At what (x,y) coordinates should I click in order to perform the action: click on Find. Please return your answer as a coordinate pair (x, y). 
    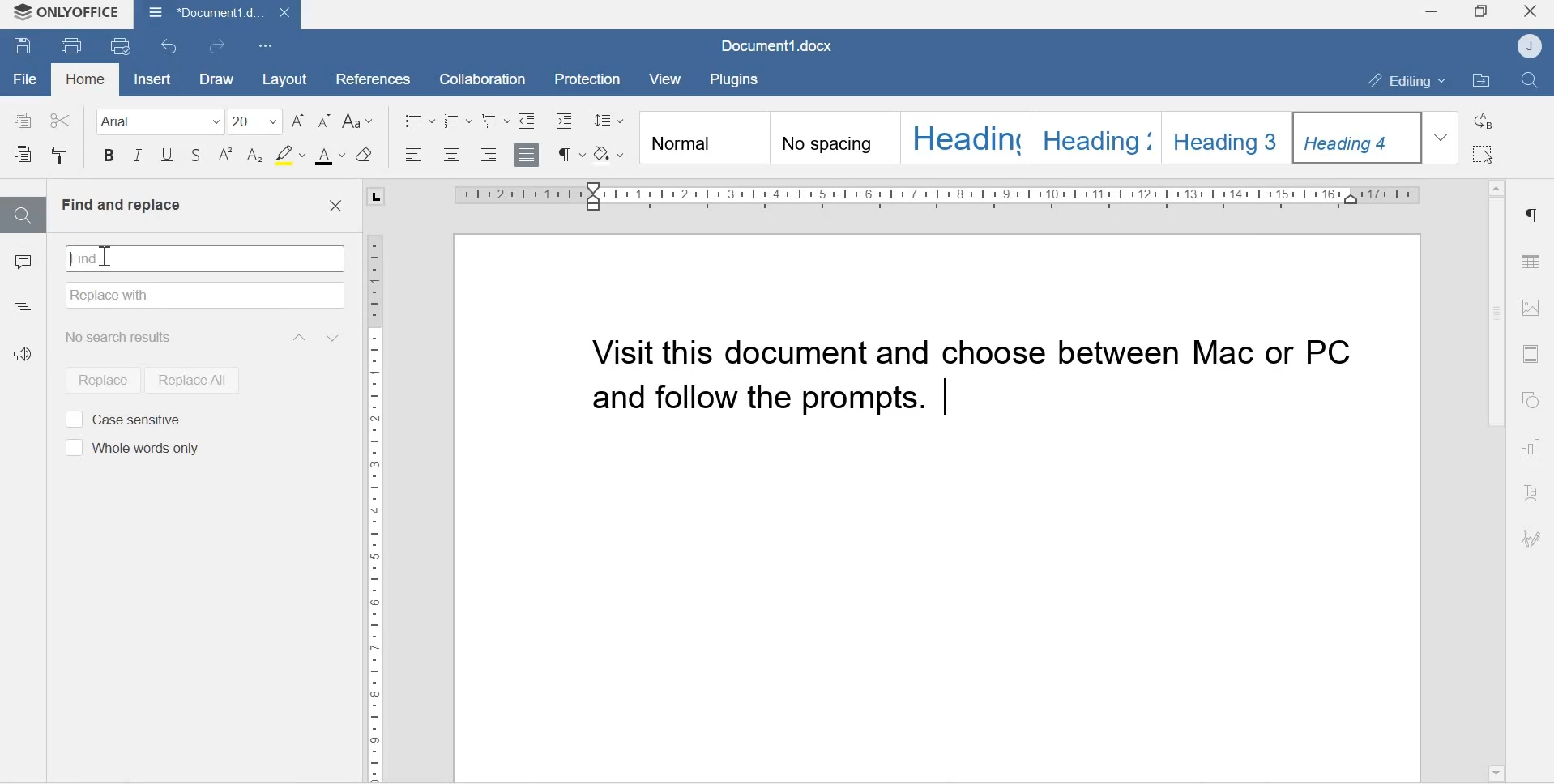
    Looking at the image, I should click on (205, 256).